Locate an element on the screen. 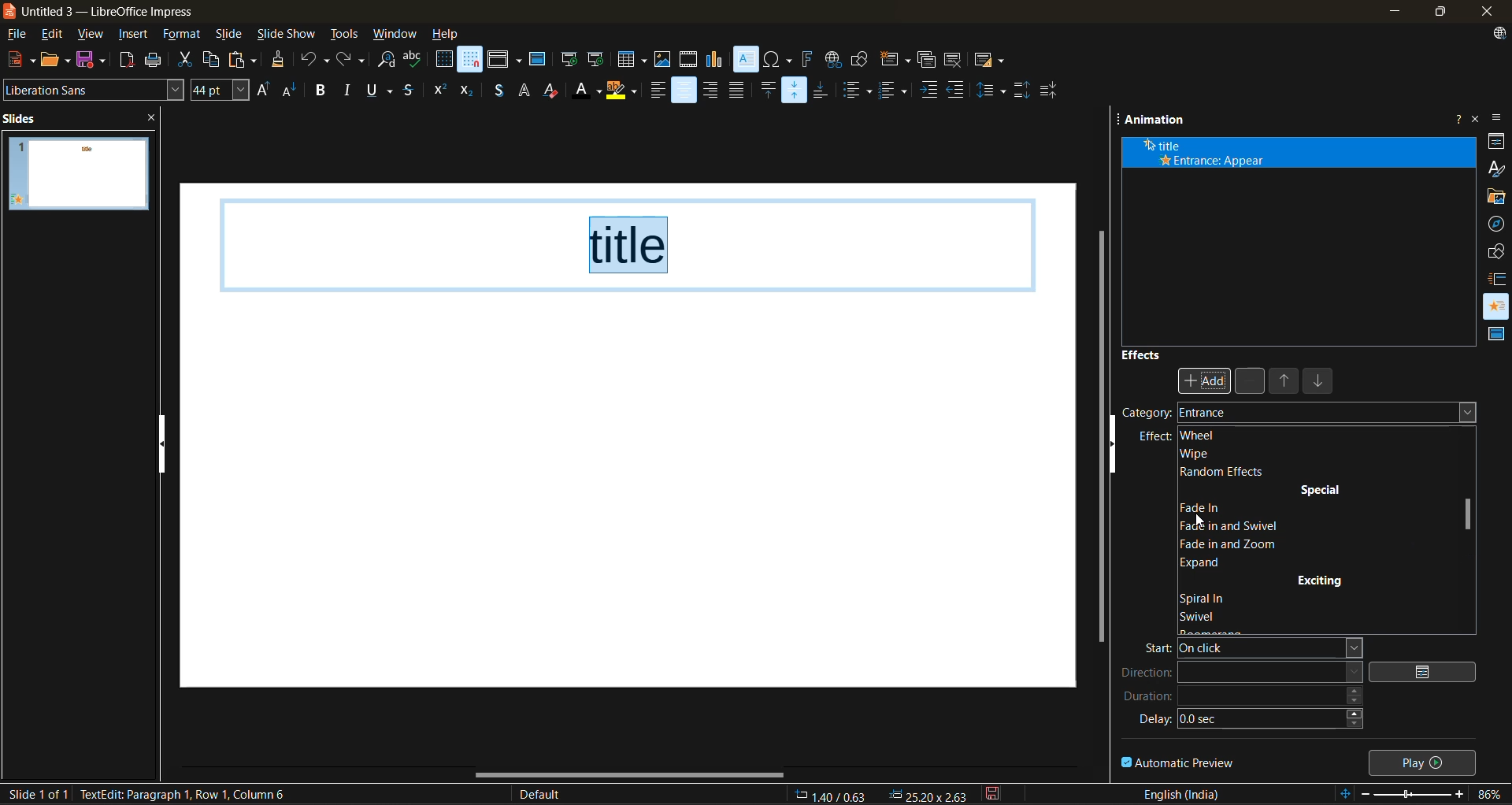 The image size is (1512, 805). text language is located at coordinates (1182, 793).